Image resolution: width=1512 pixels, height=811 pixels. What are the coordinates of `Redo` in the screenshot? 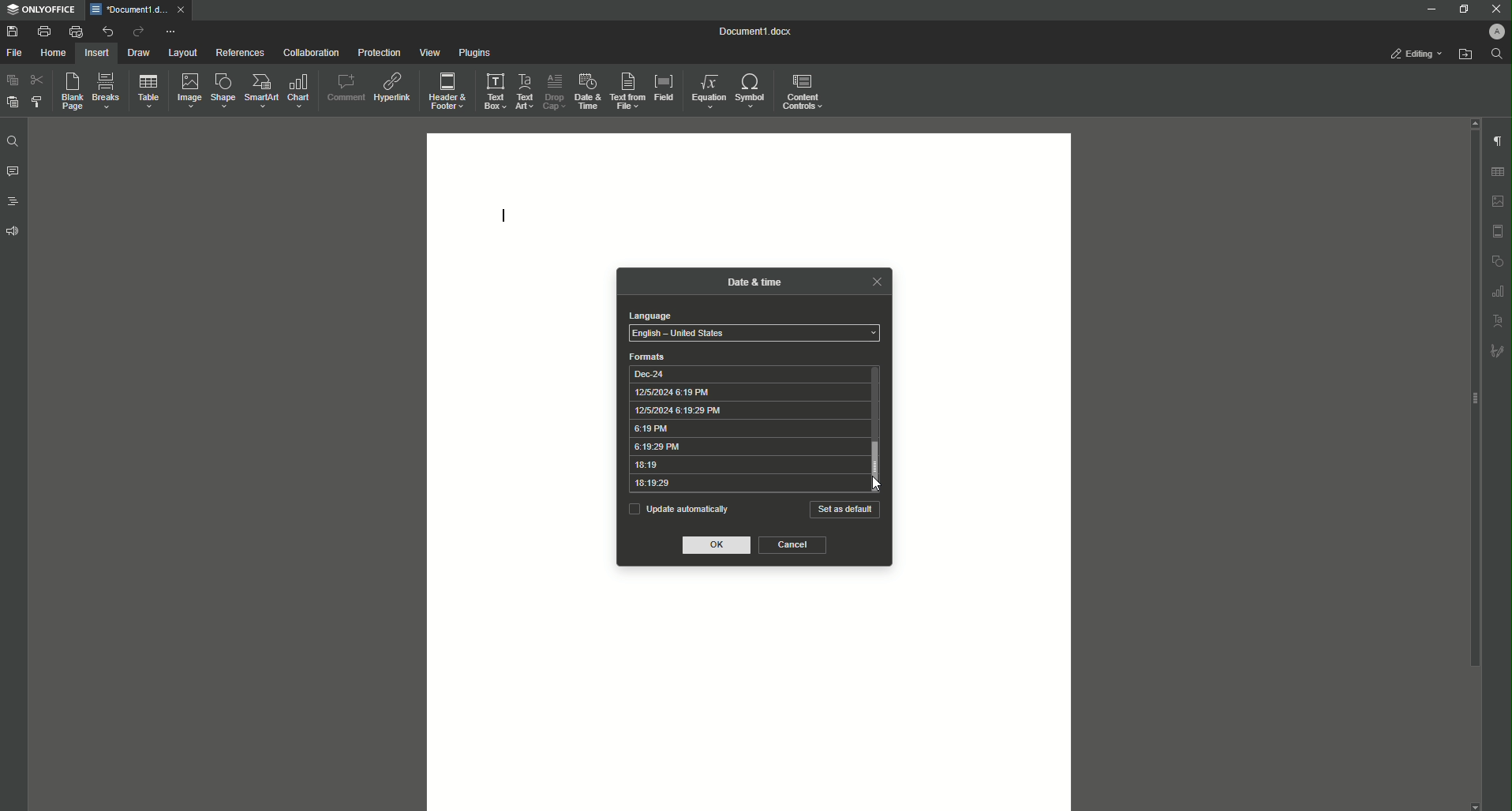 It's located at (136, 32).